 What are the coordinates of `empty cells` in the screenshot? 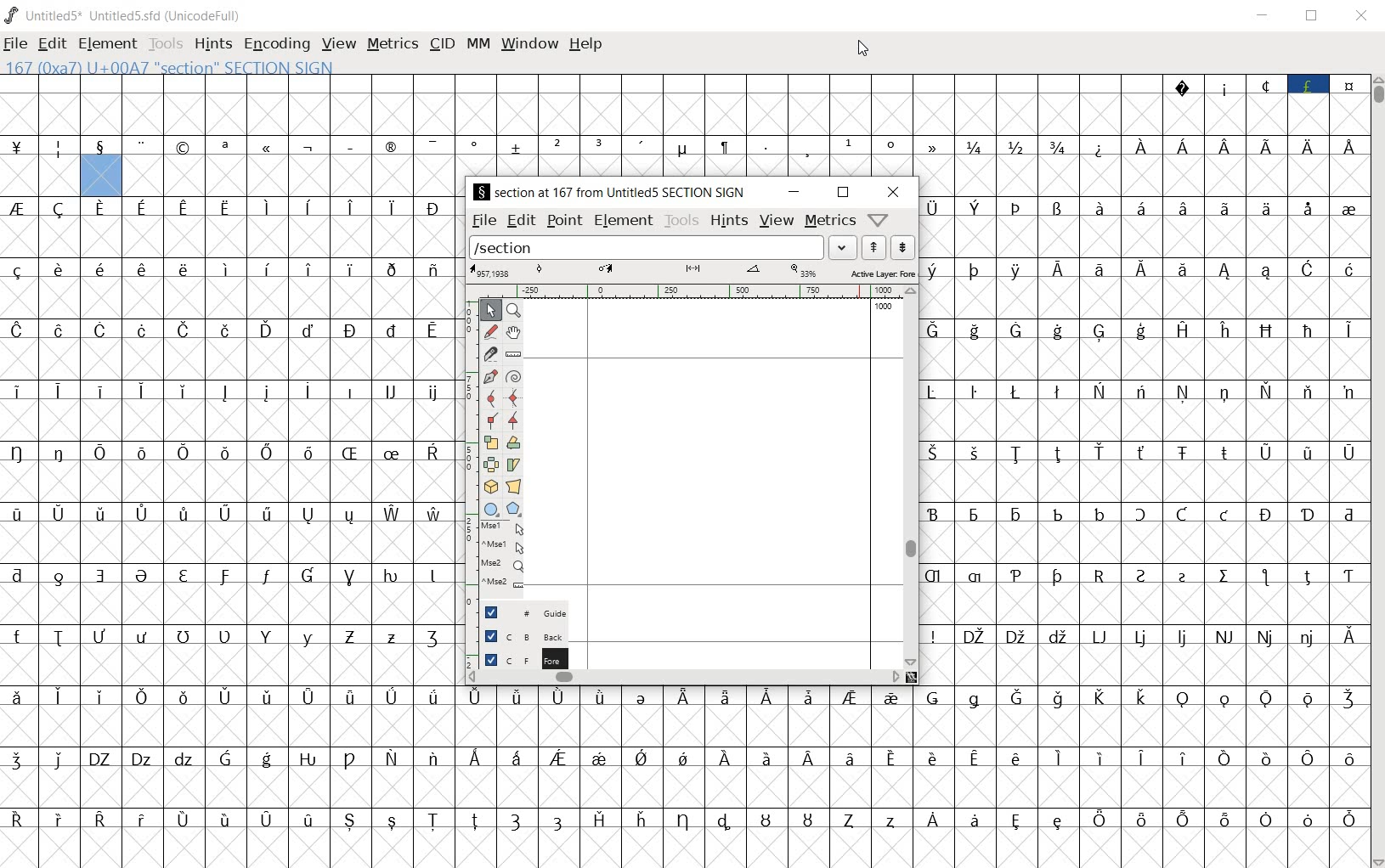 It's located at (229, 541).